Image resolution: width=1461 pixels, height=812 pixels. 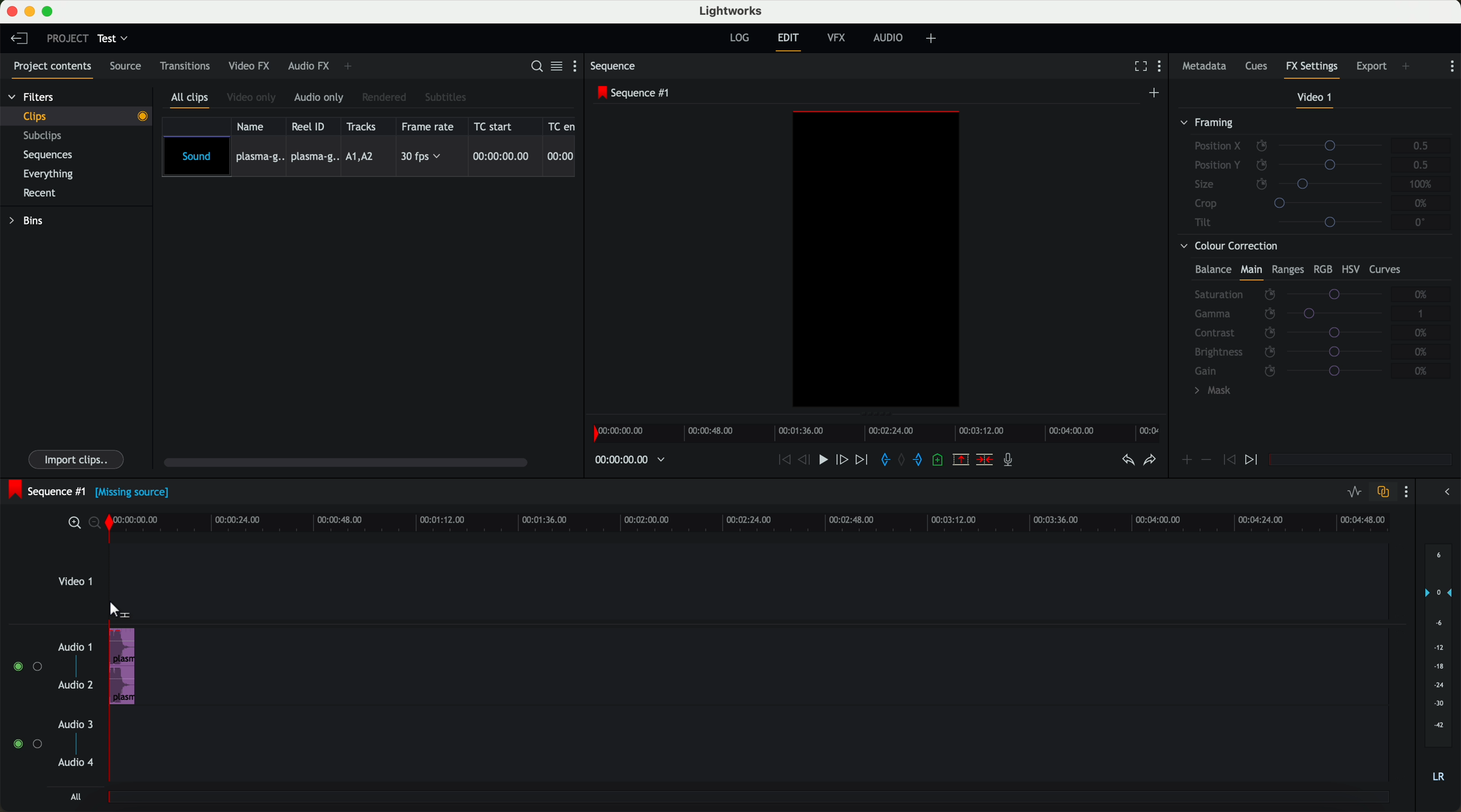 What do you see at coordinates (886, 460) in the screenshot?
I see `add in mark` at bounding box center [886, 460].